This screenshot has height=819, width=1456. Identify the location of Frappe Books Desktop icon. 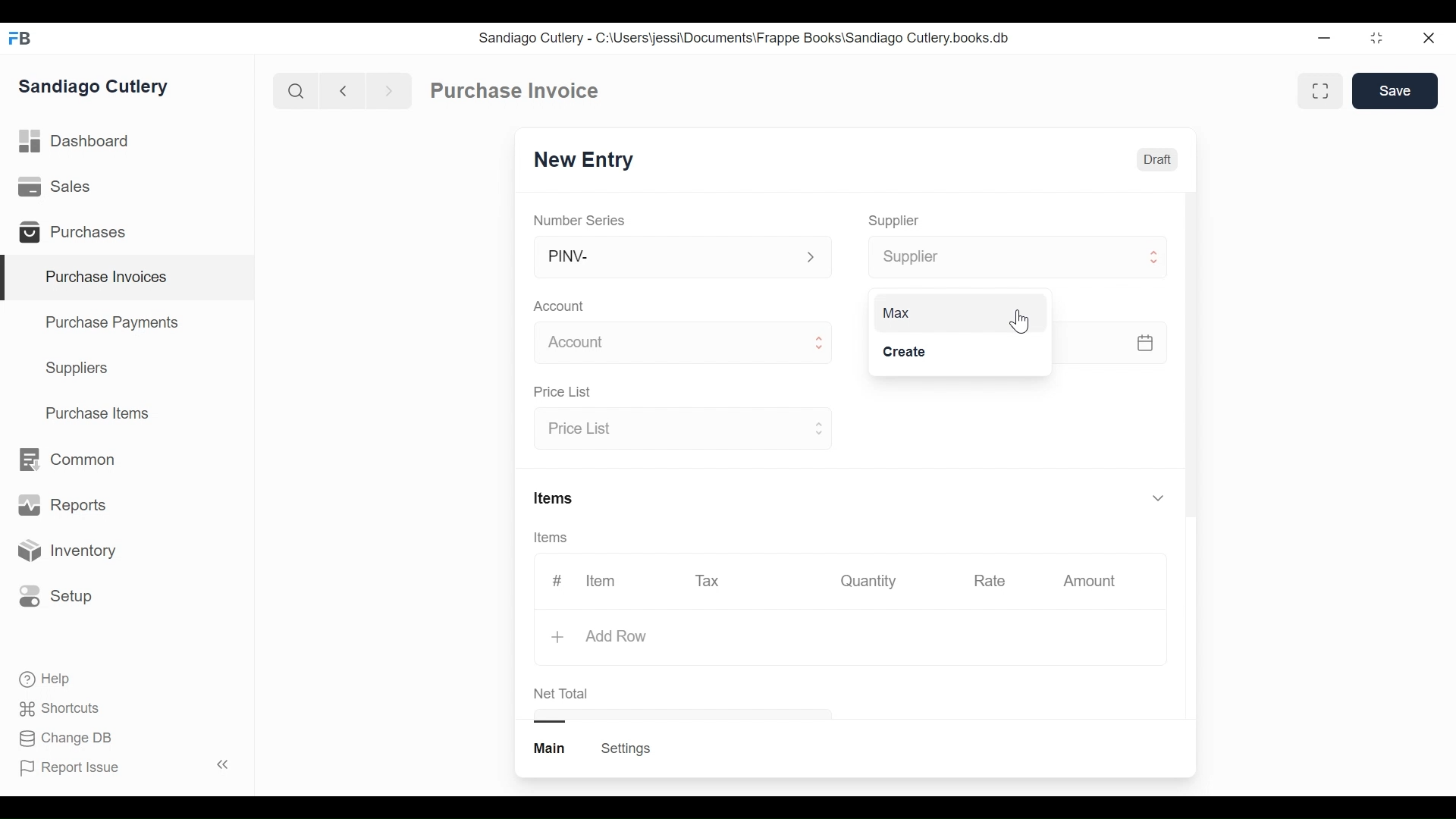
(25, 39).